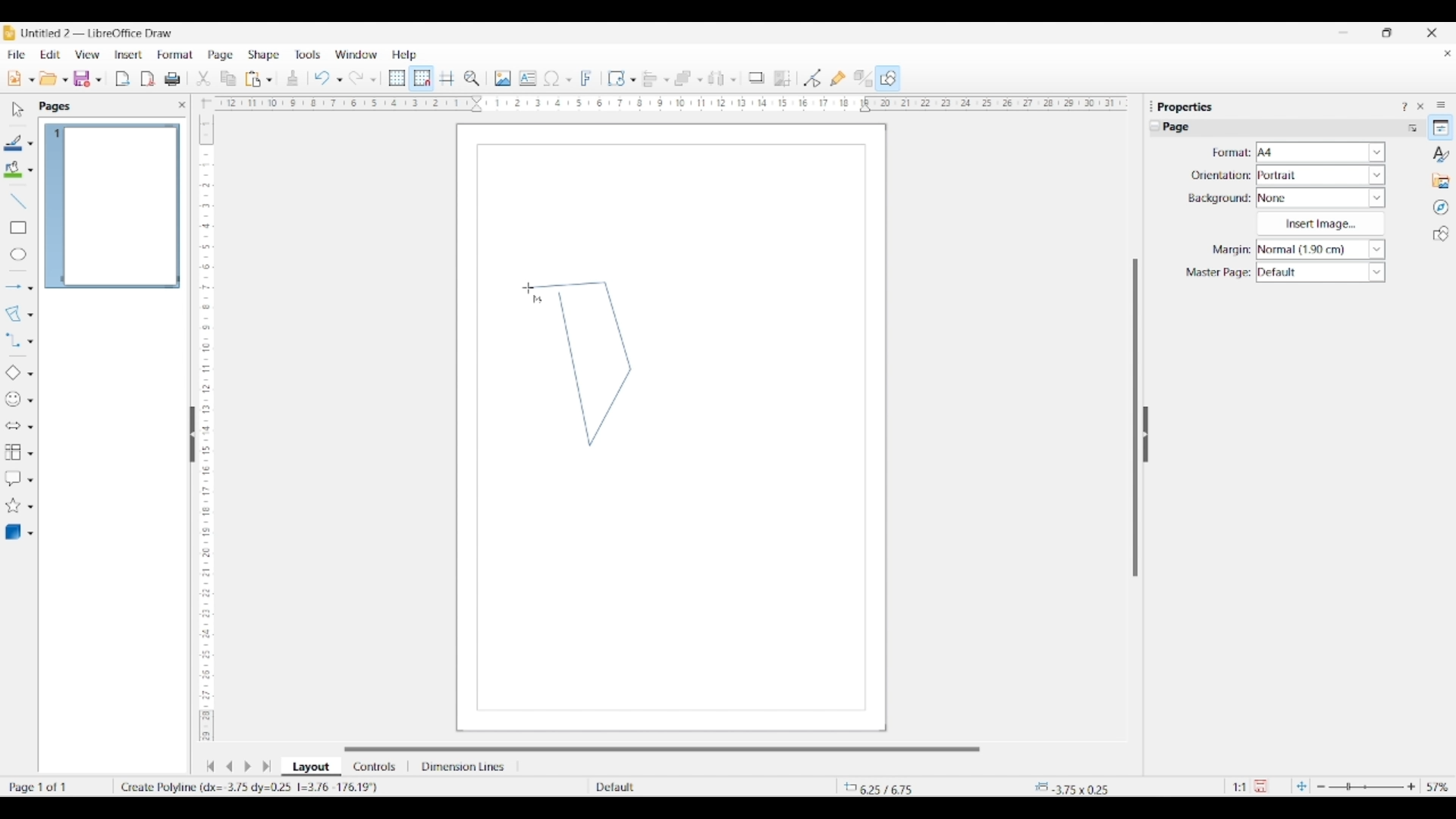  Describe the element at coordinates (32, 80) in the screenshot. I see `New document format options` at that location.